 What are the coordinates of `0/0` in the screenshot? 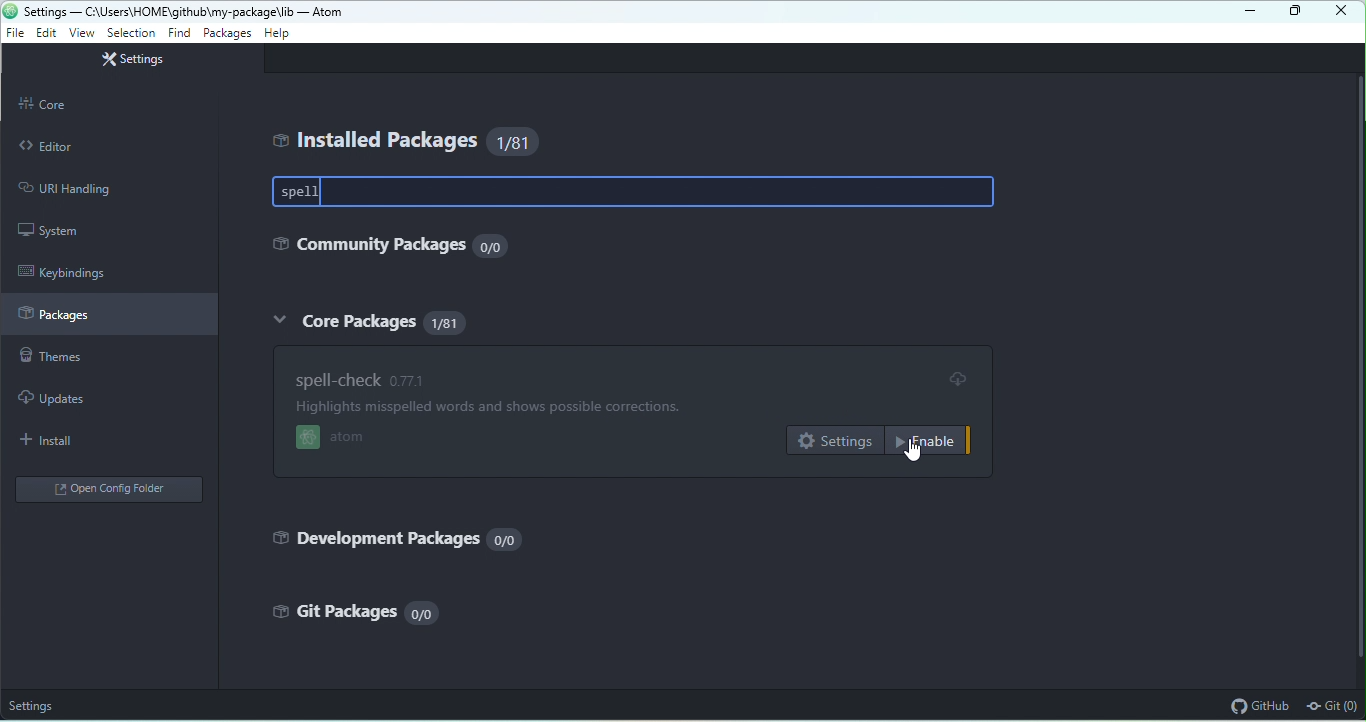 It's located at (429, 613).